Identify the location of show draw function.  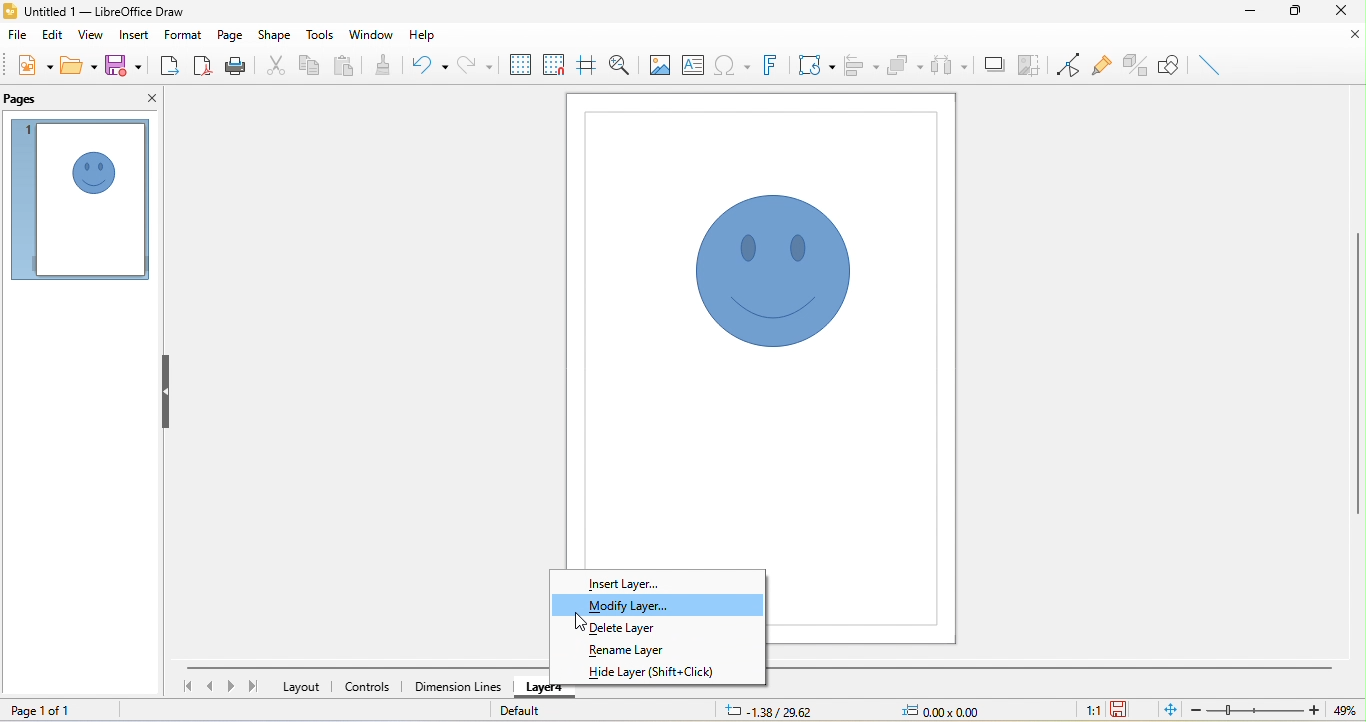
(1167, 65).